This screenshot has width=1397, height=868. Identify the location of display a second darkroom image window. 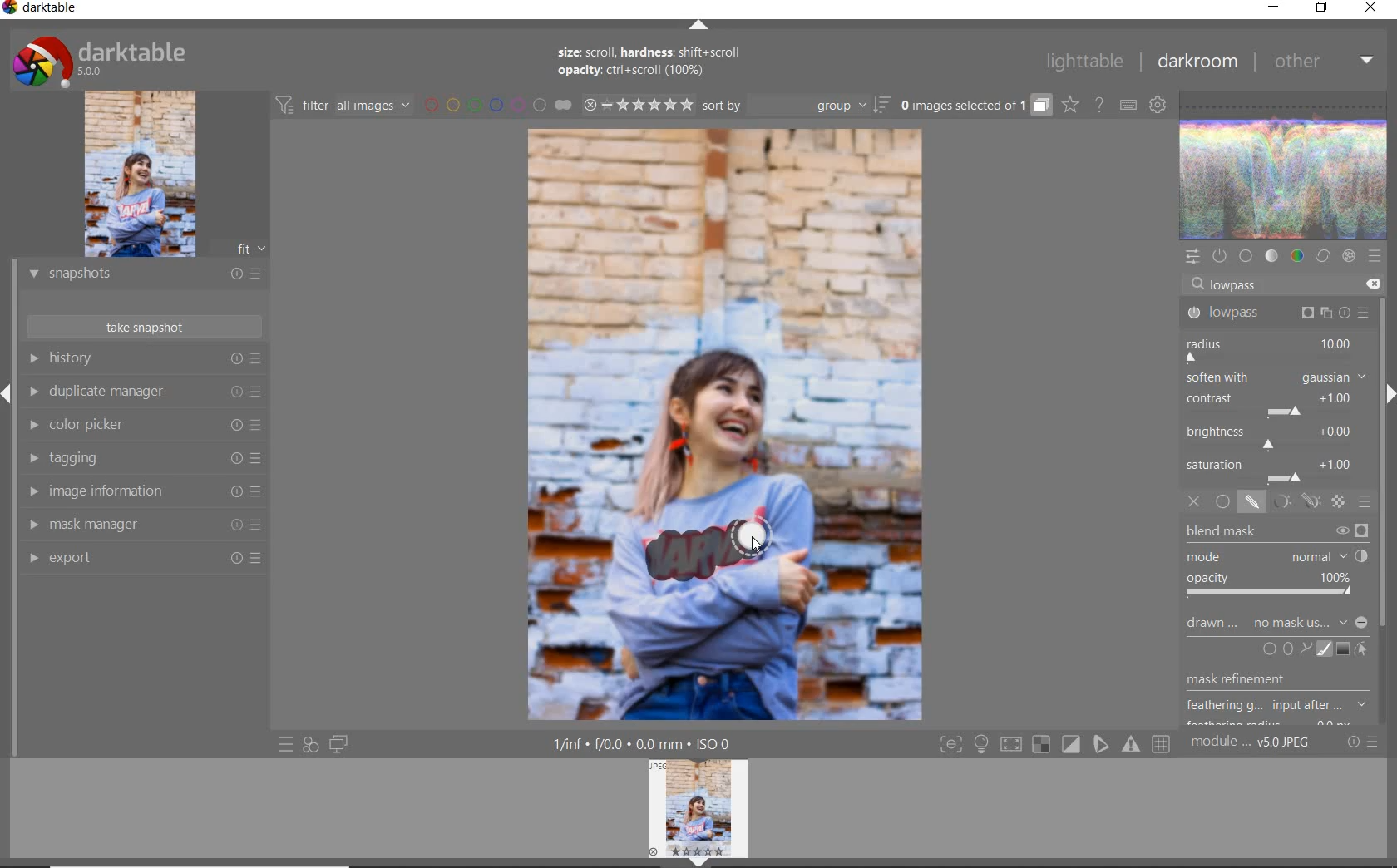
(339, 743).